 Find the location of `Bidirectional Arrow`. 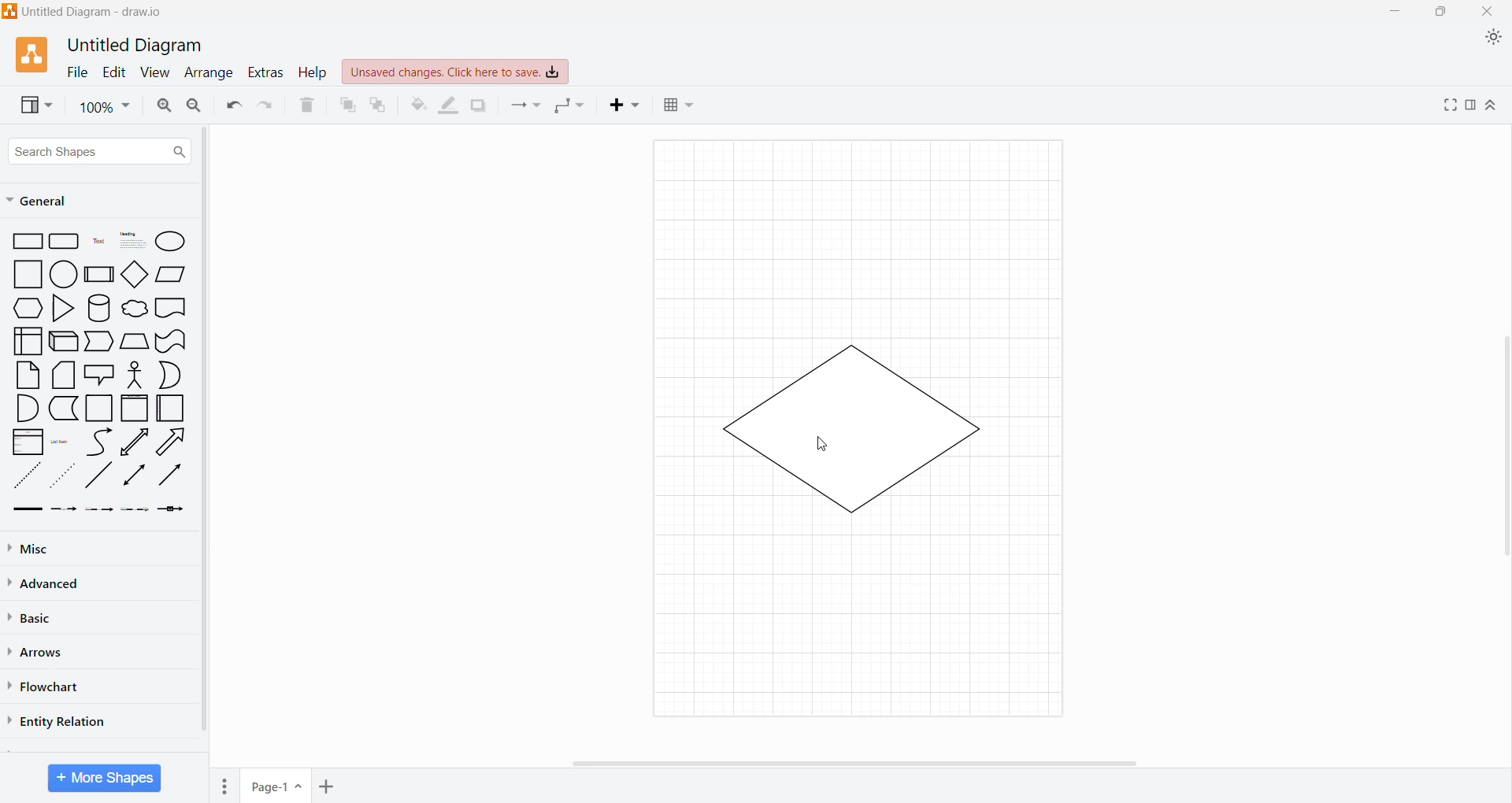

Bidirectional Arrow is located at coordinates (135, 442).